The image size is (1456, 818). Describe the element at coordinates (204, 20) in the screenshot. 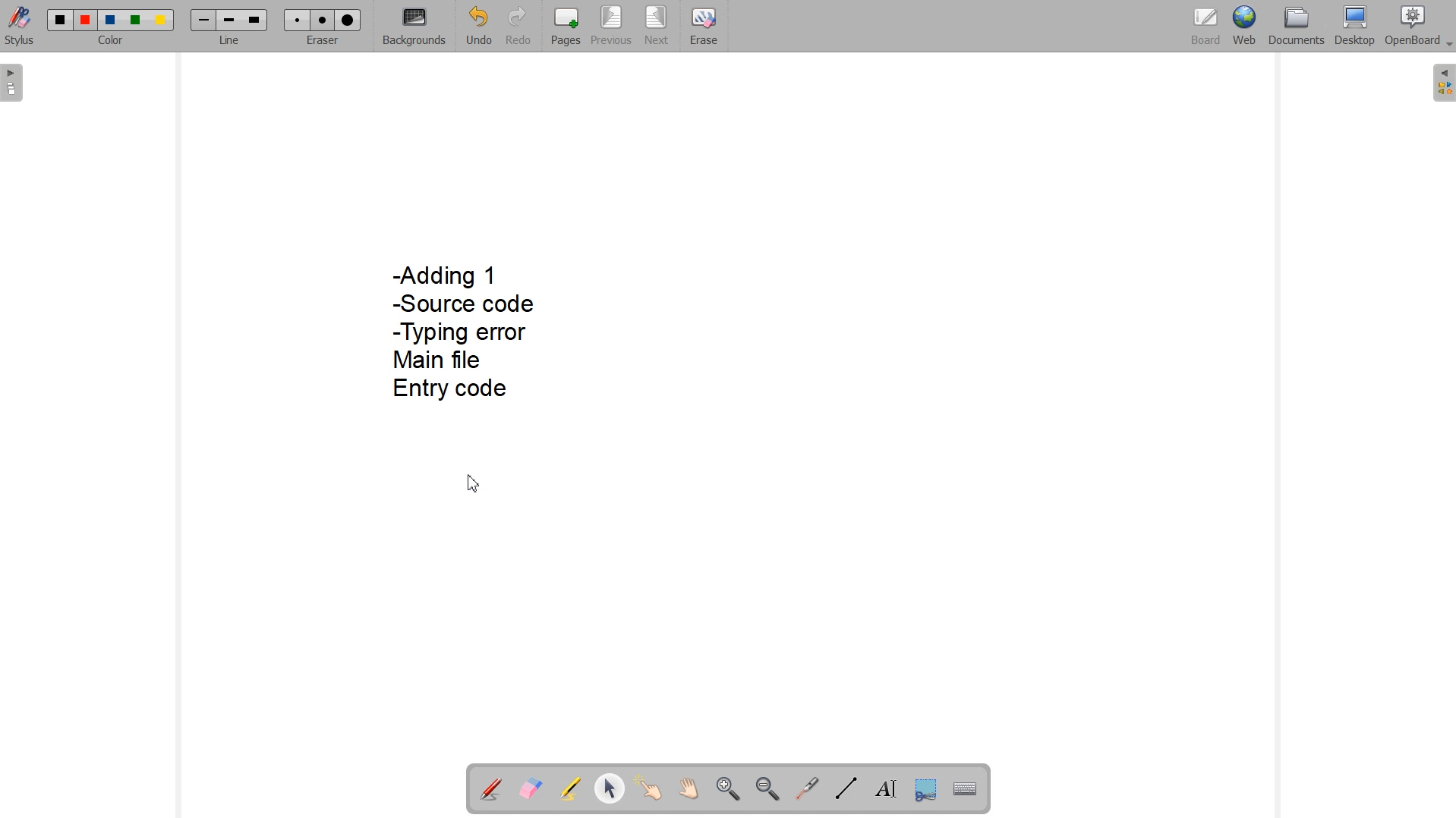

I see `Small line` at that location.